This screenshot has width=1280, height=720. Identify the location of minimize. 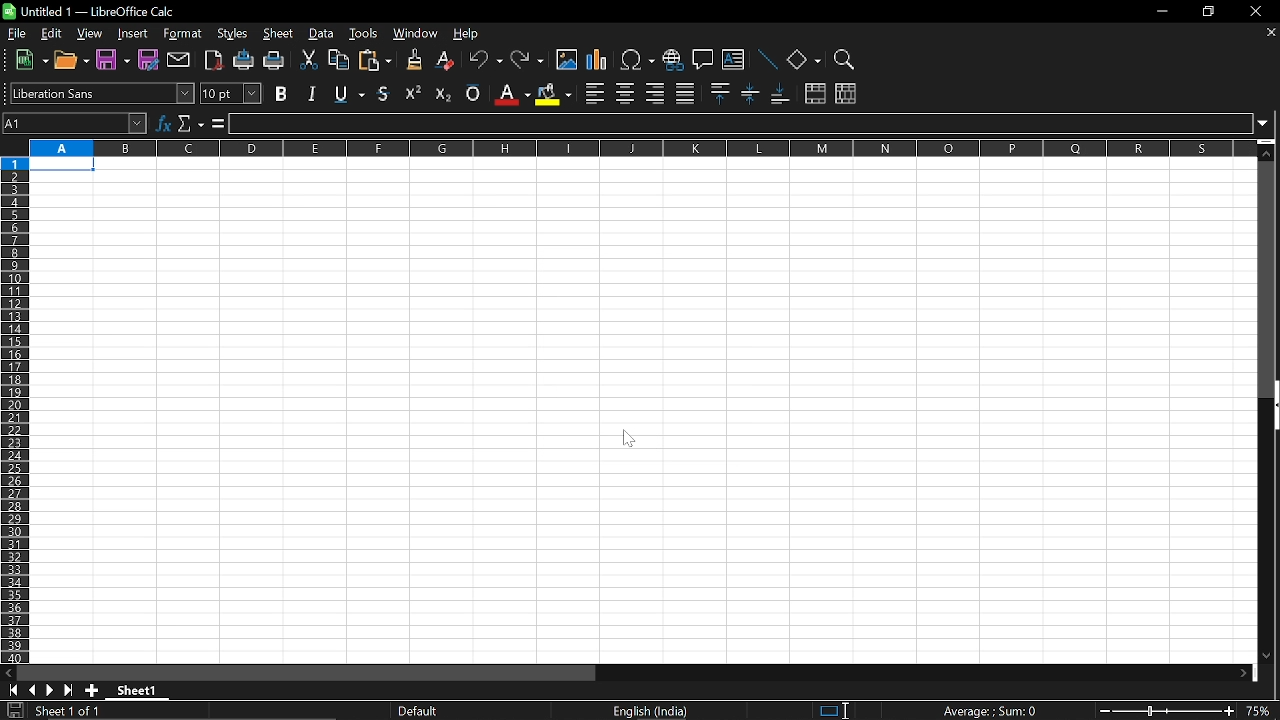
(1160, 11).